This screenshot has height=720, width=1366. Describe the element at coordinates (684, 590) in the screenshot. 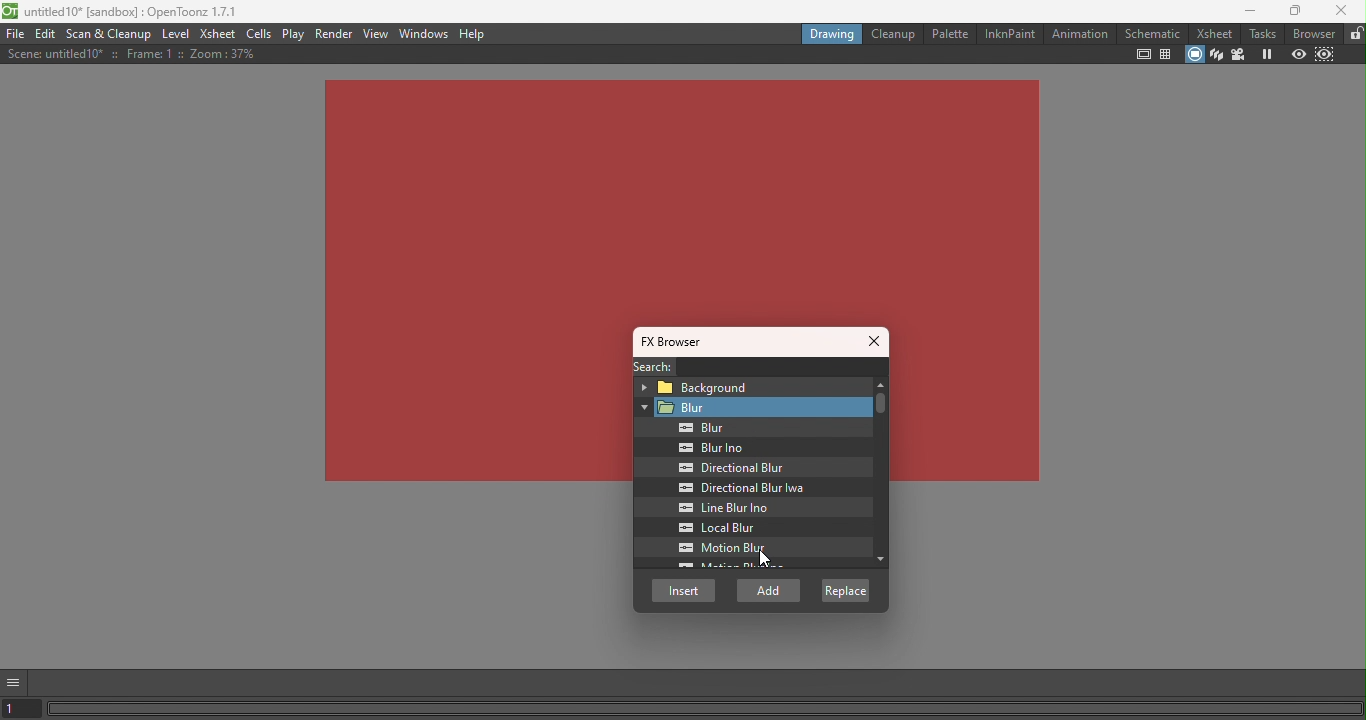

I see `Insert` at that location.